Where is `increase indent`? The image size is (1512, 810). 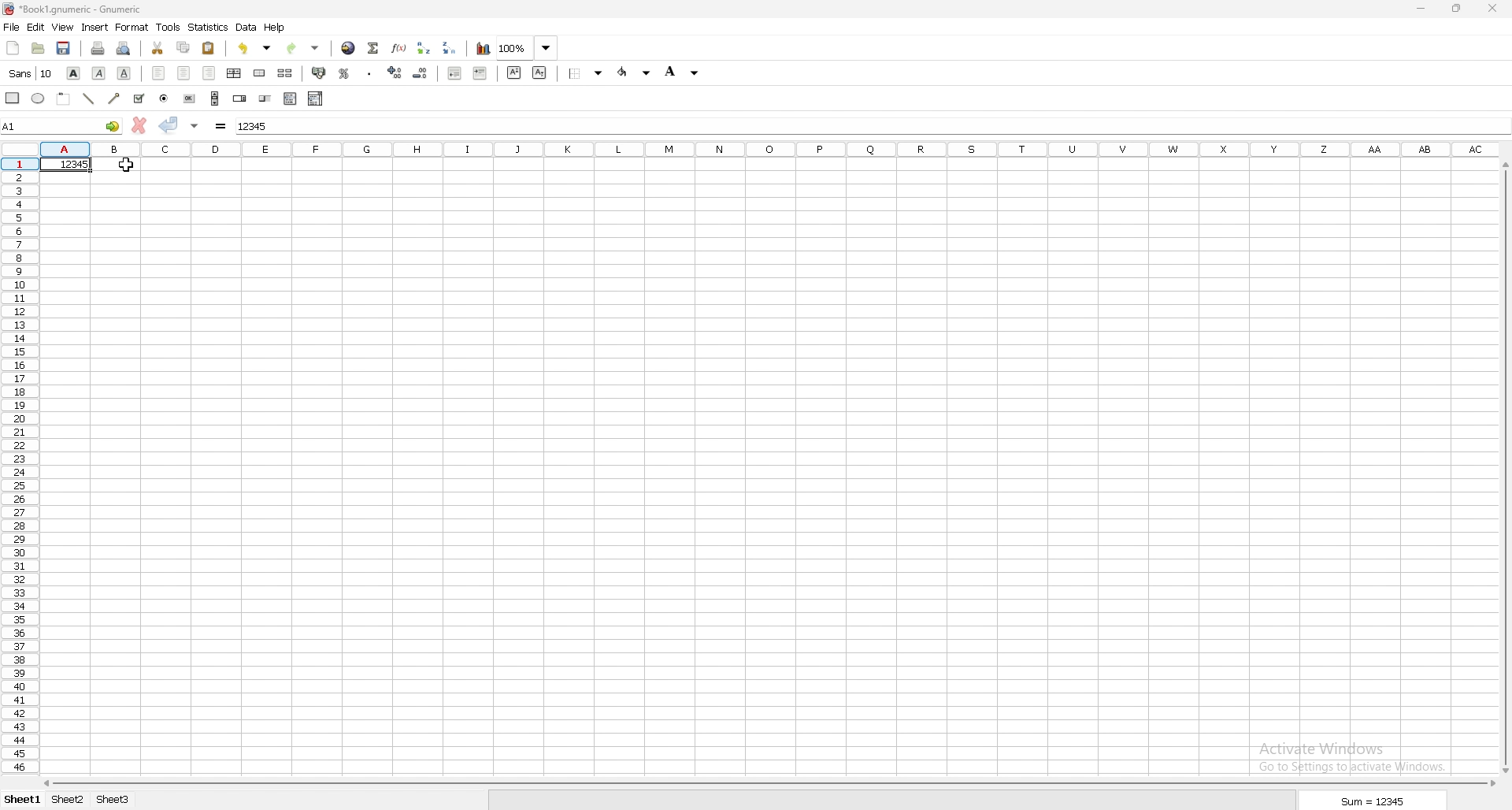 increase indent is located at coordinates (480, 72).